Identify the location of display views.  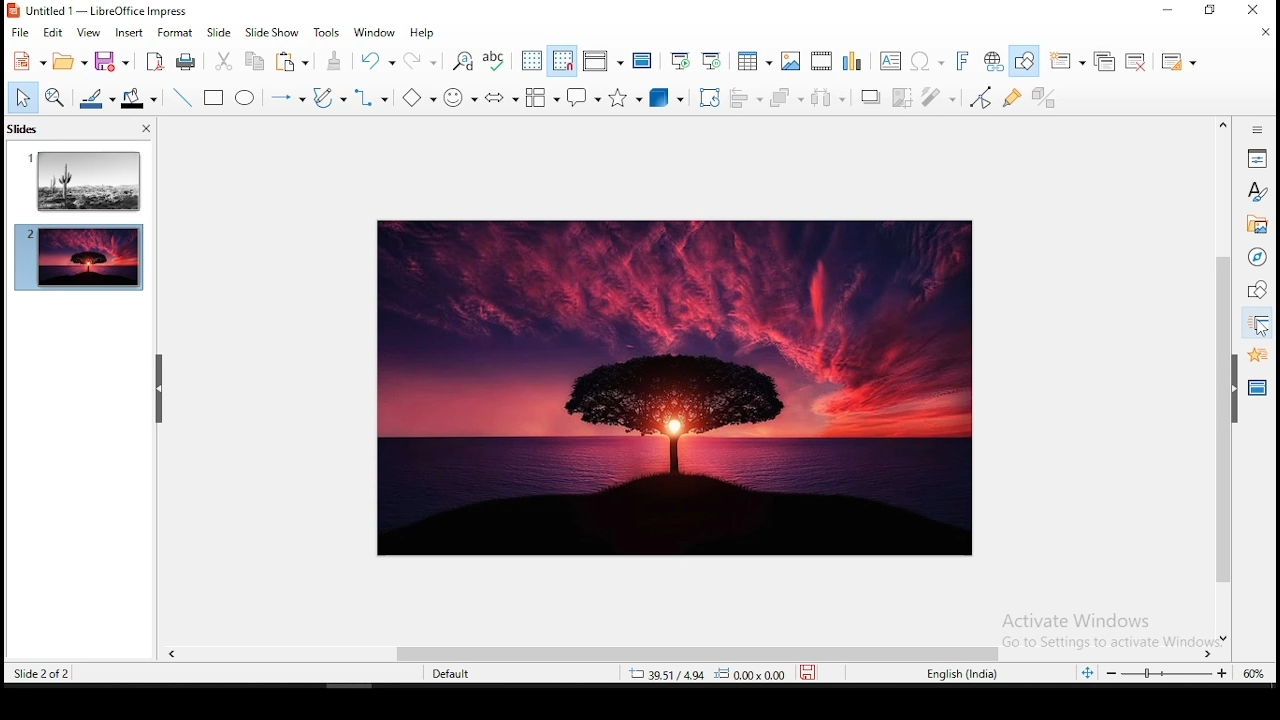
(602, 61).